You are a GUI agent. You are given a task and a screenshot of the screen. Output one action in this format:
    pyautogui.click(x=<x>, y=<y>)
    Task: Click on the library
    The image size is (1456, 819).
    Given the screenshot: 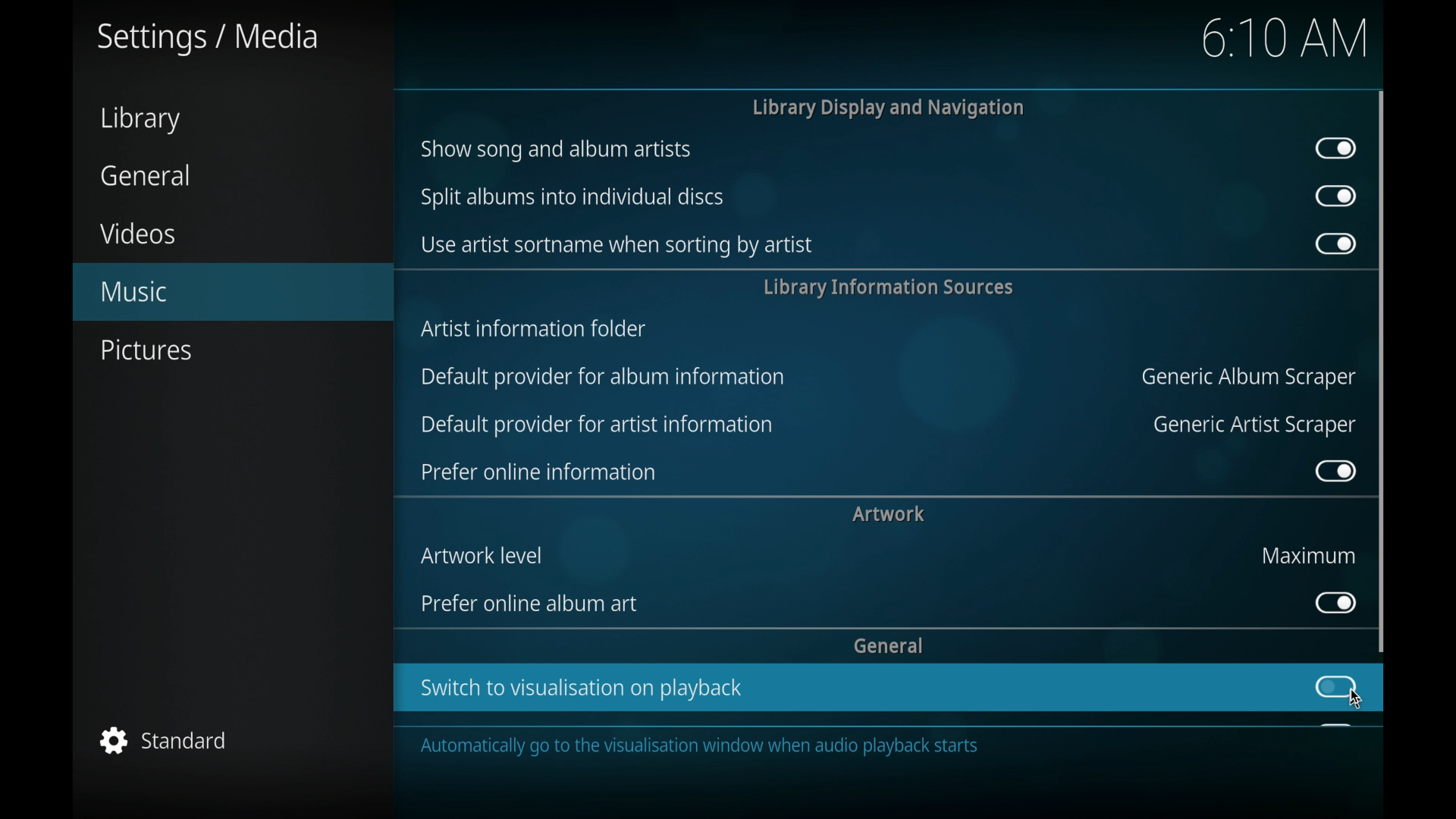 What is the action you would take?
    pyautogui.click(x=140, y=120)
    